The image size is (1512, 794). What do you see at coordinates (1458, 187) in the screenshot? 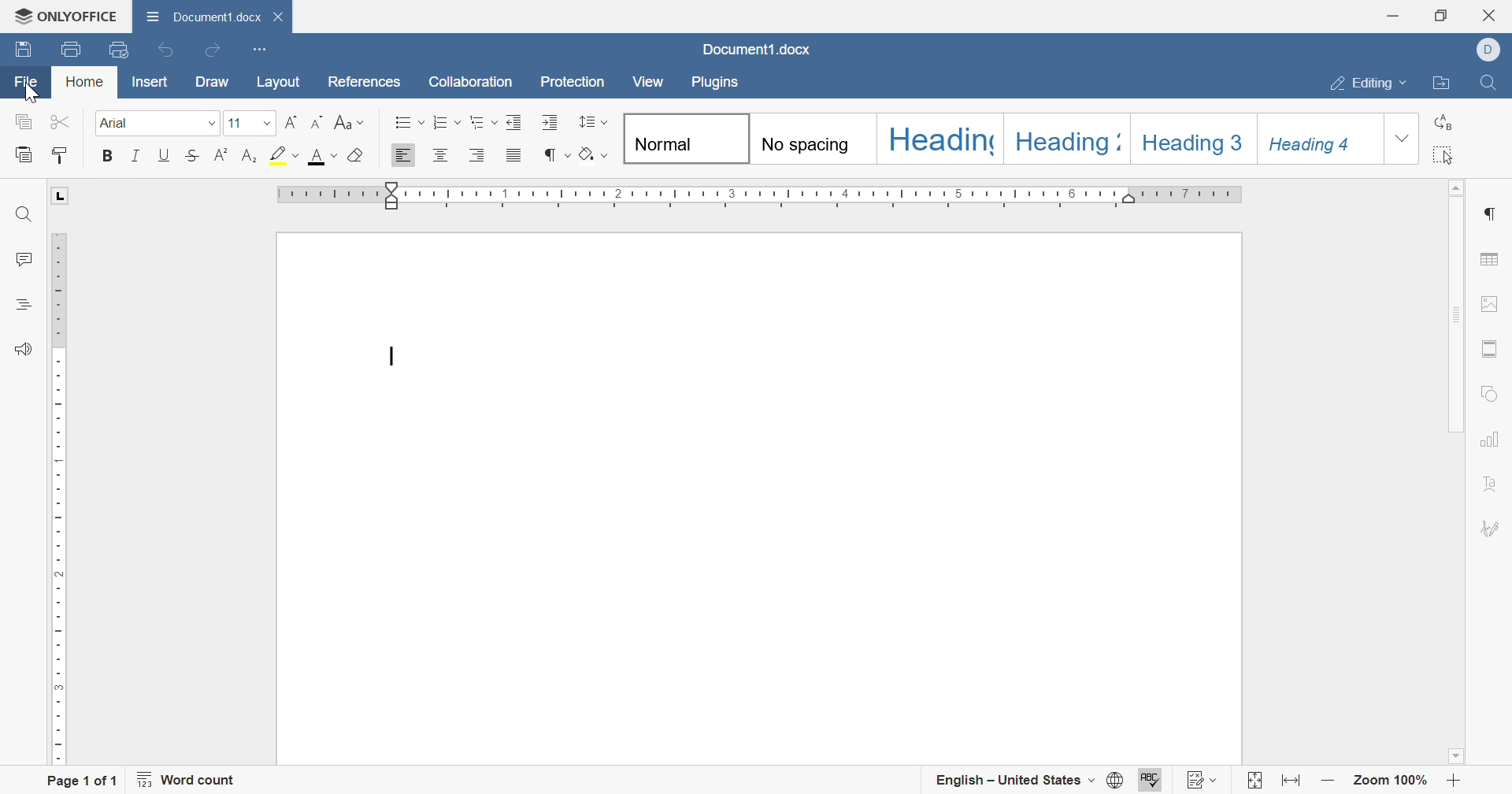
I see `scroll up` at bounding box center [1458, 187].